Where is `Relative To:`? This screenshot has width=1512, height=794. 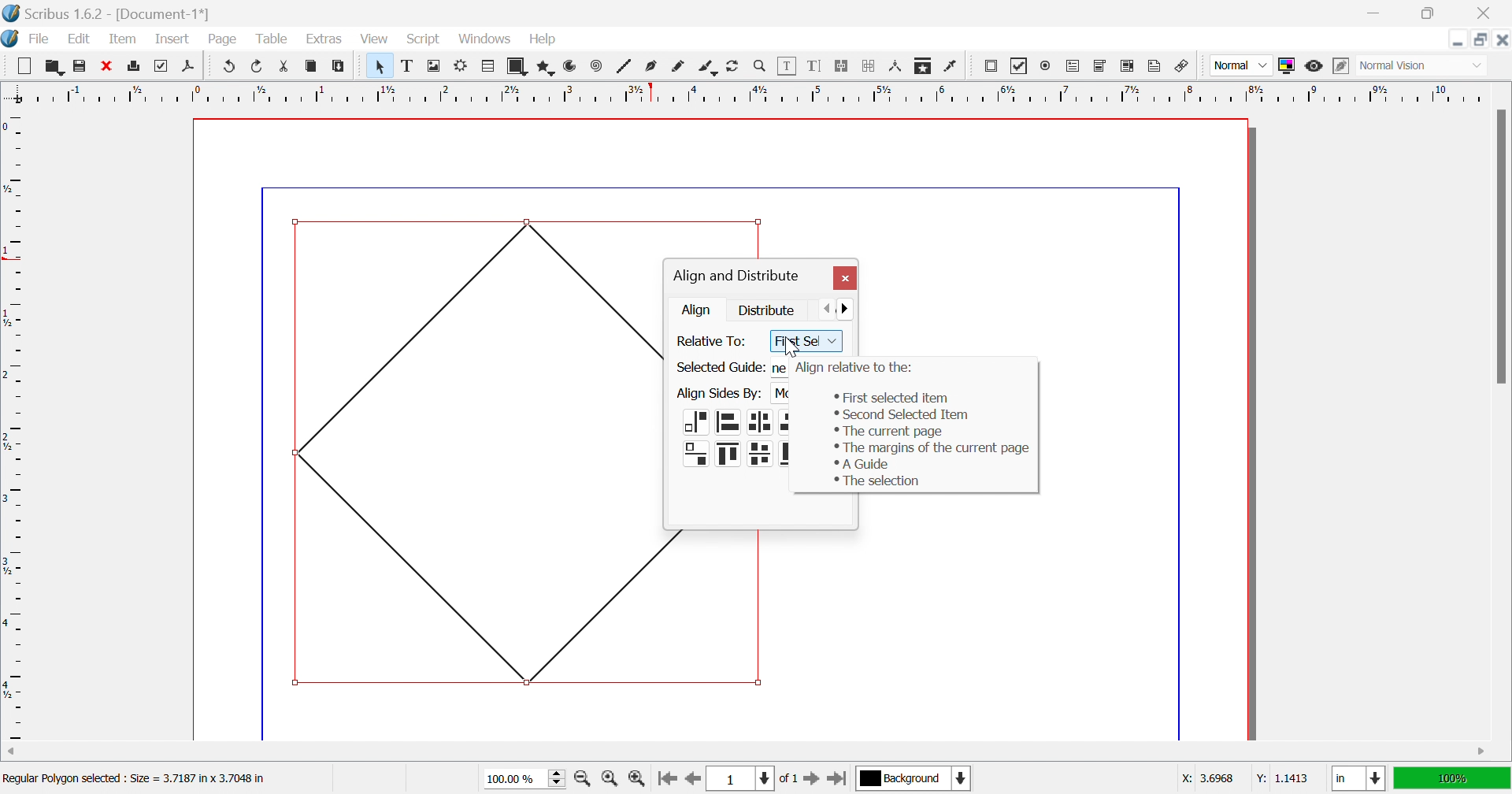 Relative To: is located at coordinates (714, 341).